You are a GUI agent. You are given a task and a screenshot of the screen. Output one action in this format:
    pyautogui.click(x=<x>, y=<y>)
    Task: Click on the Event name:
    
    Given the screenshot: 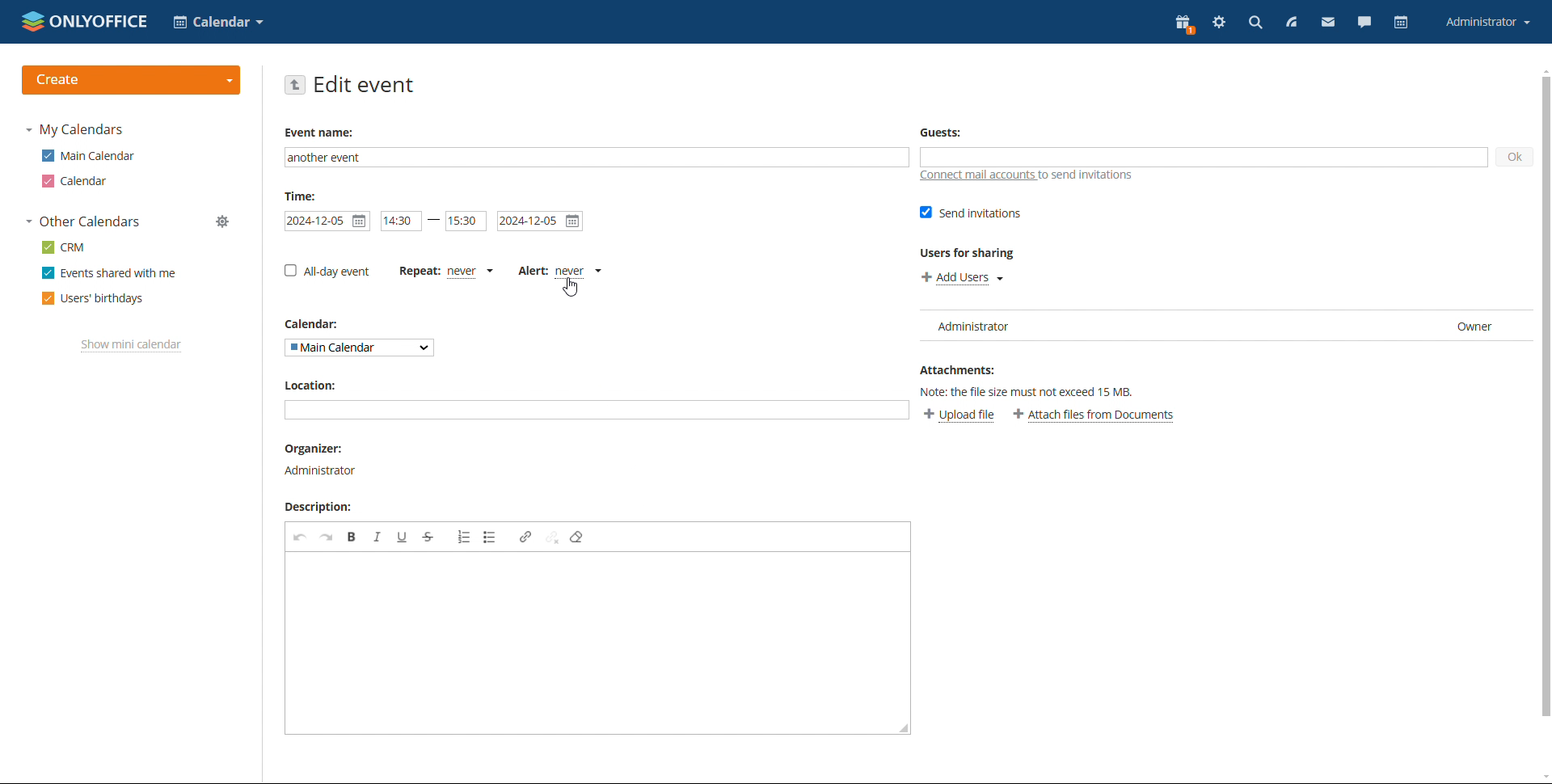 What is the action you would take?
    pyautogui.click(x=322, y=133)
    